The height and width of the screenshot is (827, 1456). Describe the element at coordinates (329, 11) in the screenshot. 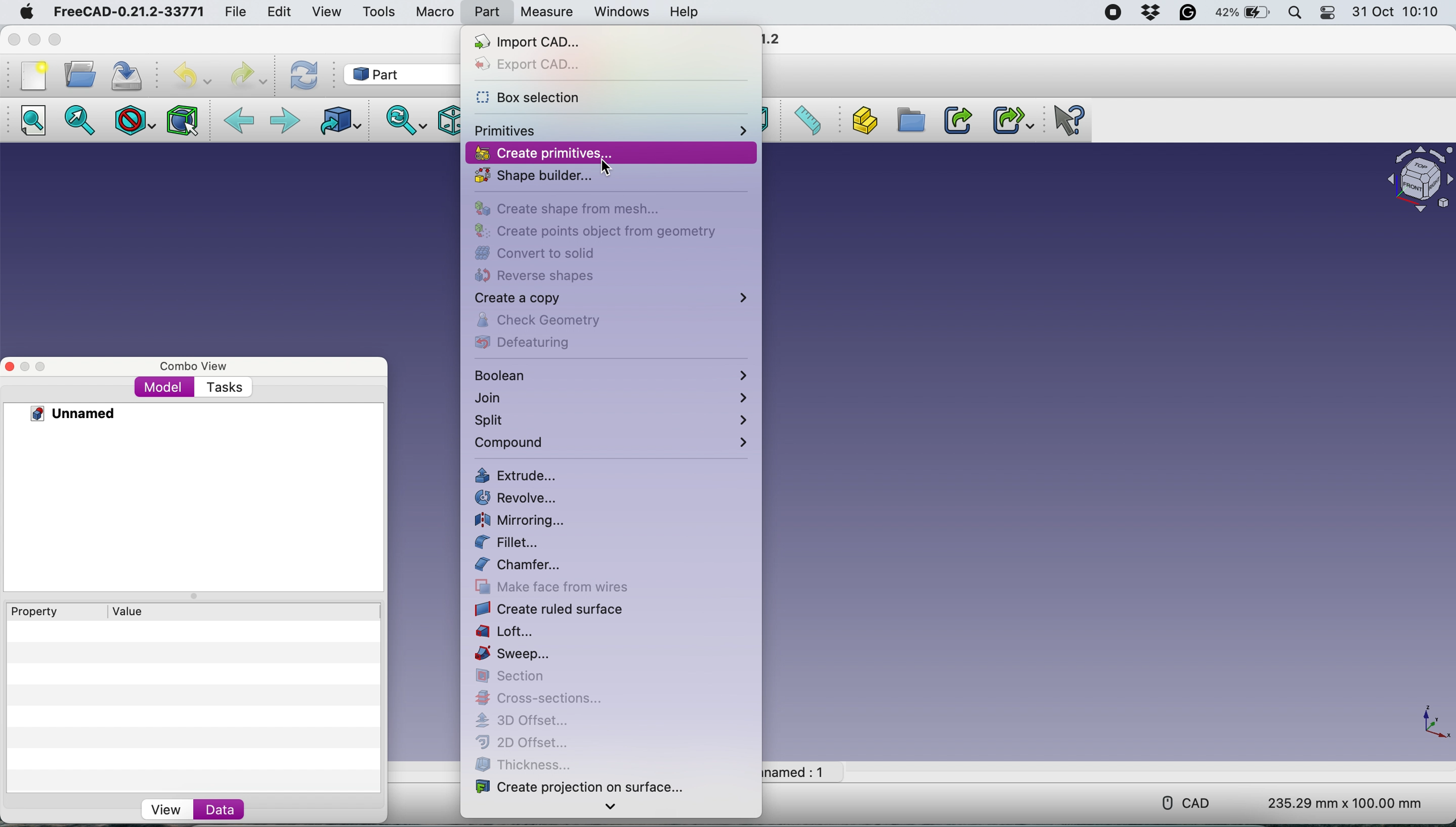

I see `View` at that location.